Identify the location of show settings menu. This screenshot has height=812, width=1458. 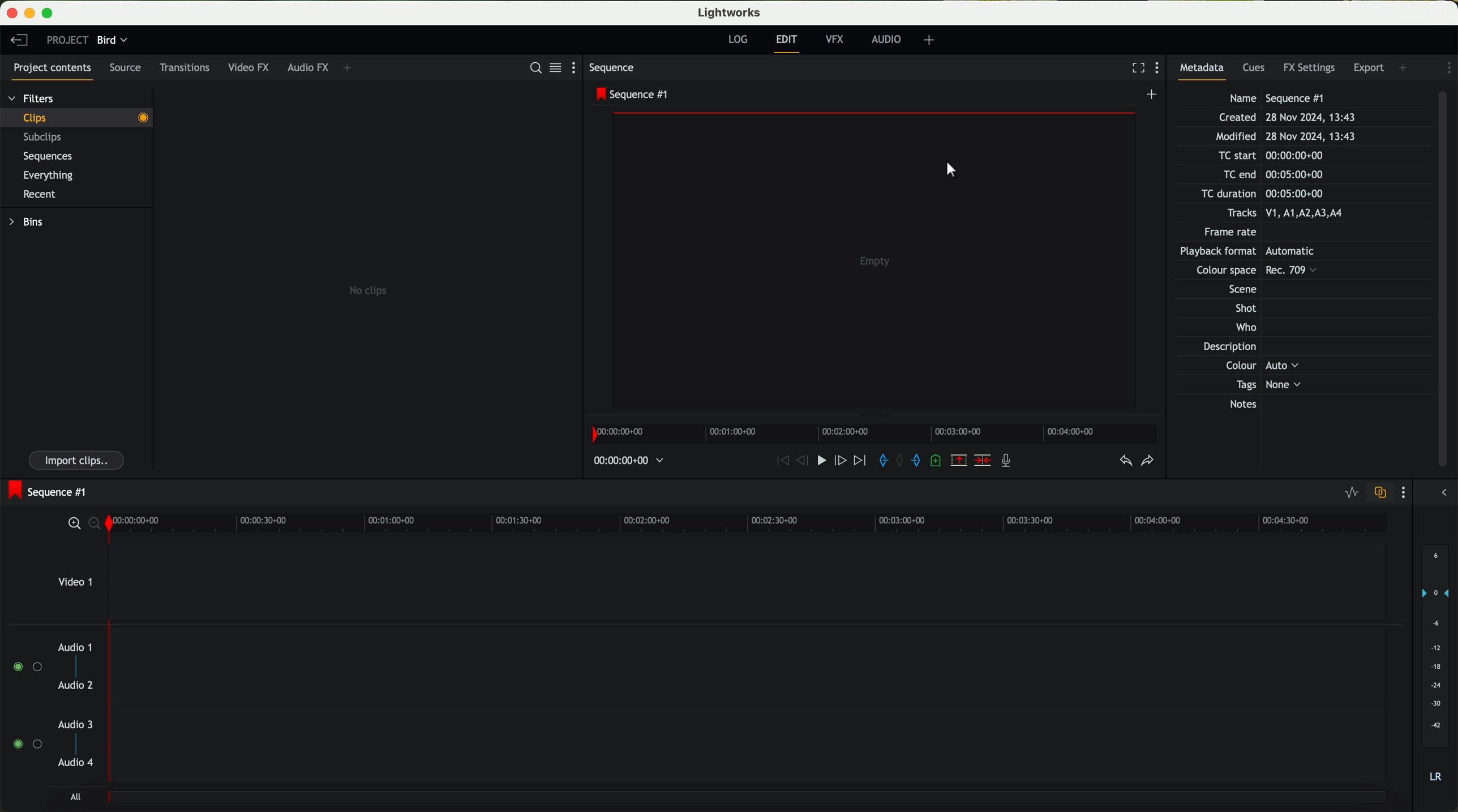
(1409, 491).